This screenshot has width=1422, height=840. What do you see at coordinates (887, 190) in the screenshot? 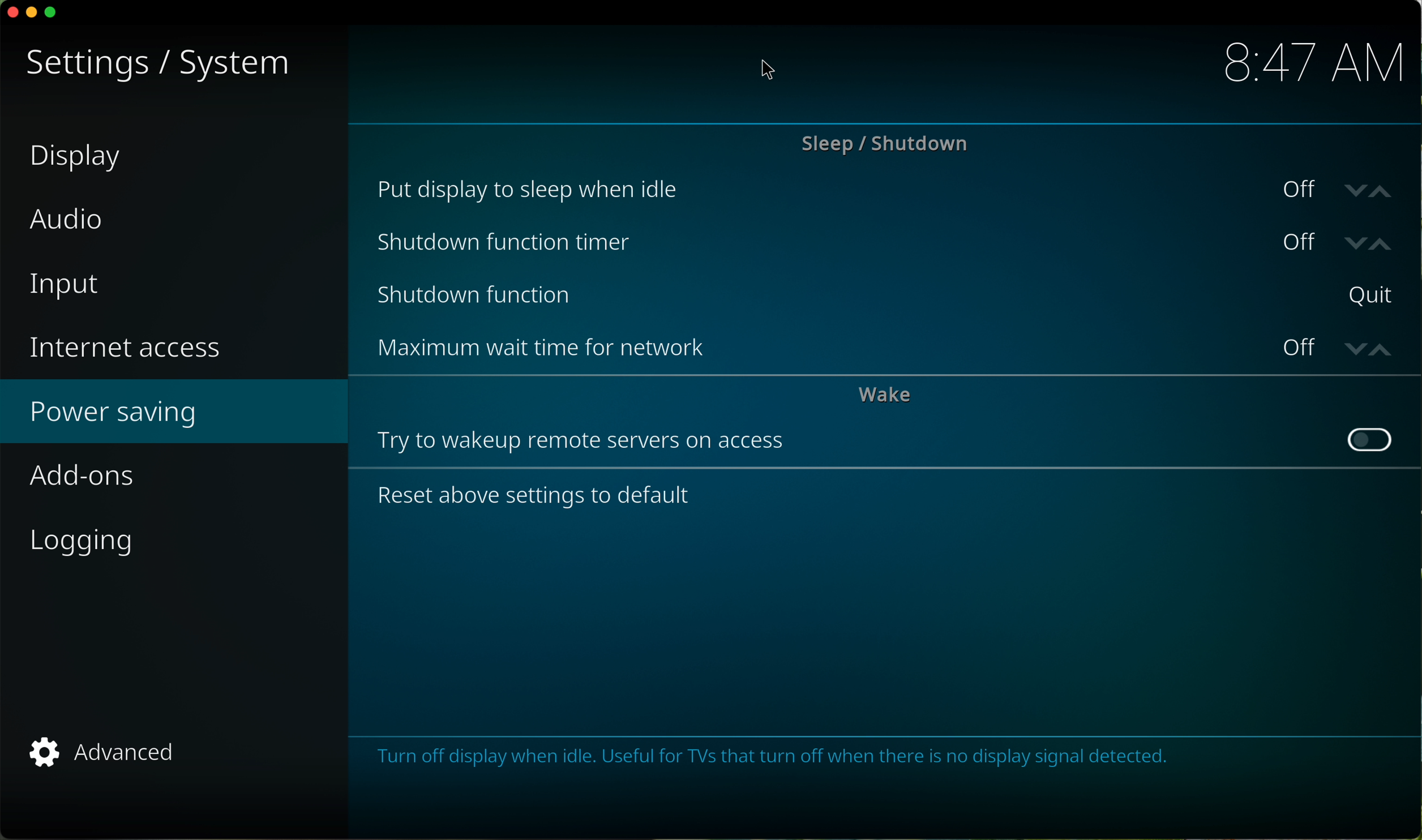
I see `updates` at bounding box center [887, 190].